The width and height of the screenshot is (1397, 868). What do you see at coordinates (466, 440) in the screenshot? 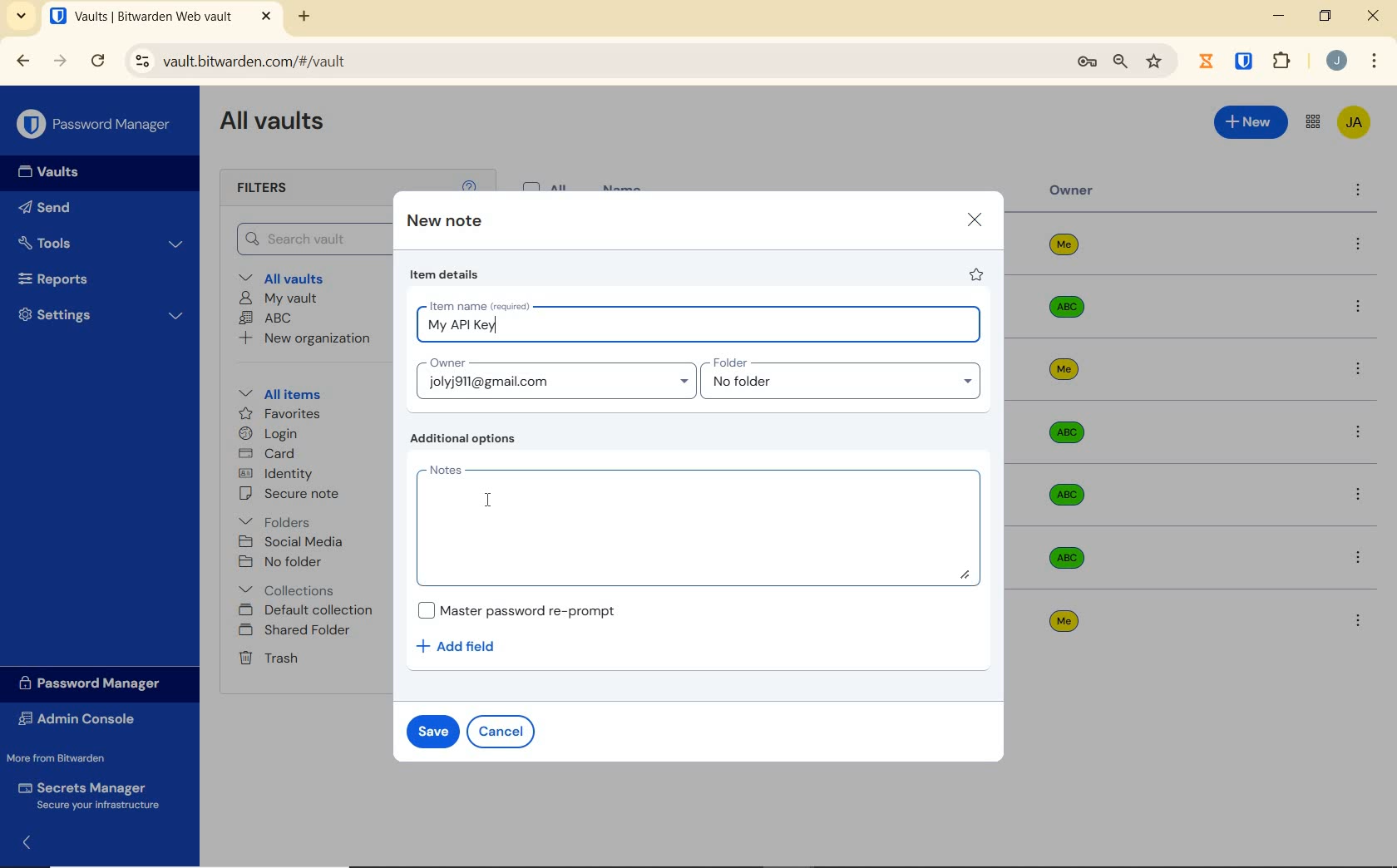
I see `Additional options` at bounding box center [466, 440].